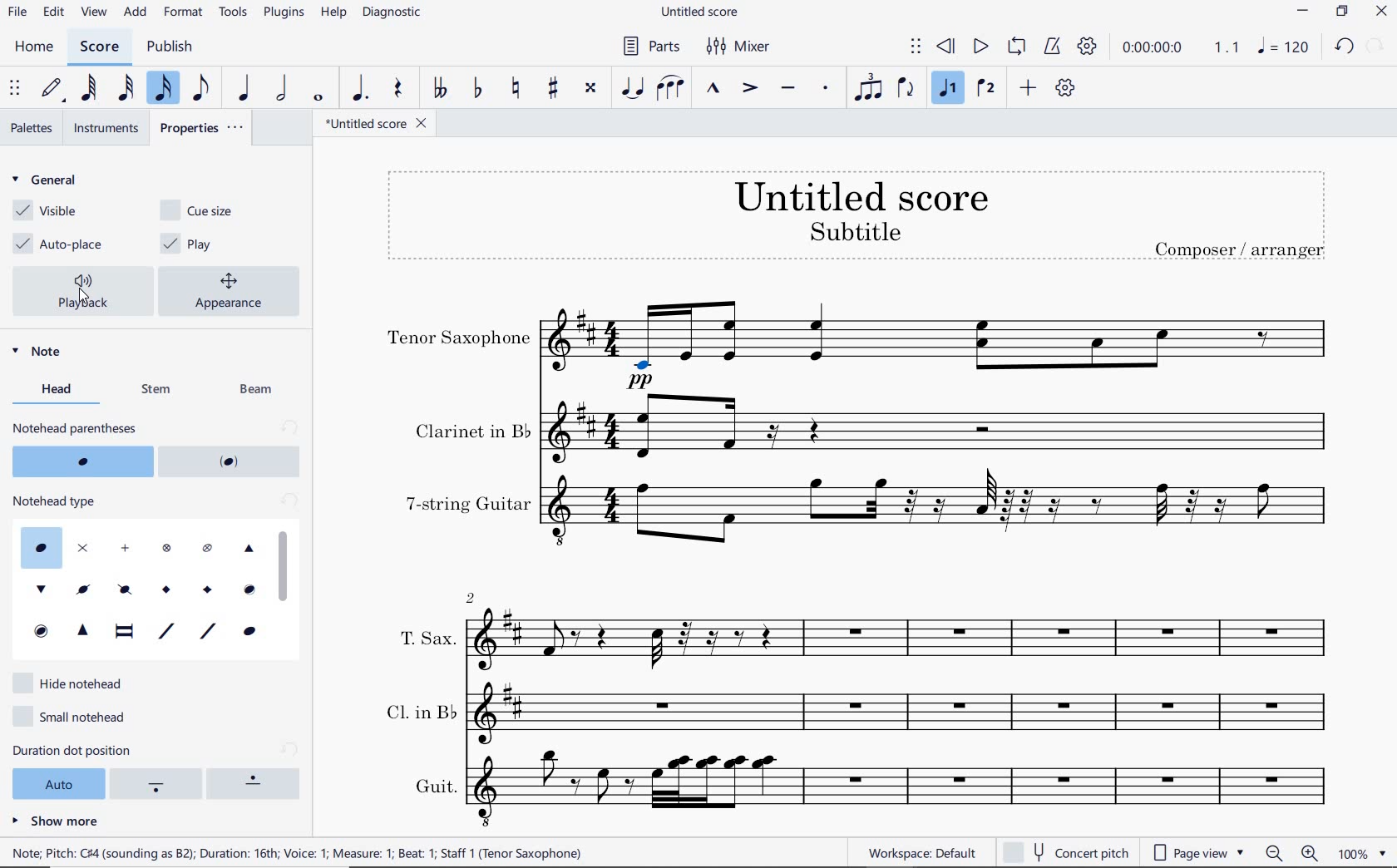 The height and width of the screenshot is (868, 1397). Describe the element at coordinates (471, 431) in the screenshot. I see `text` at that location.